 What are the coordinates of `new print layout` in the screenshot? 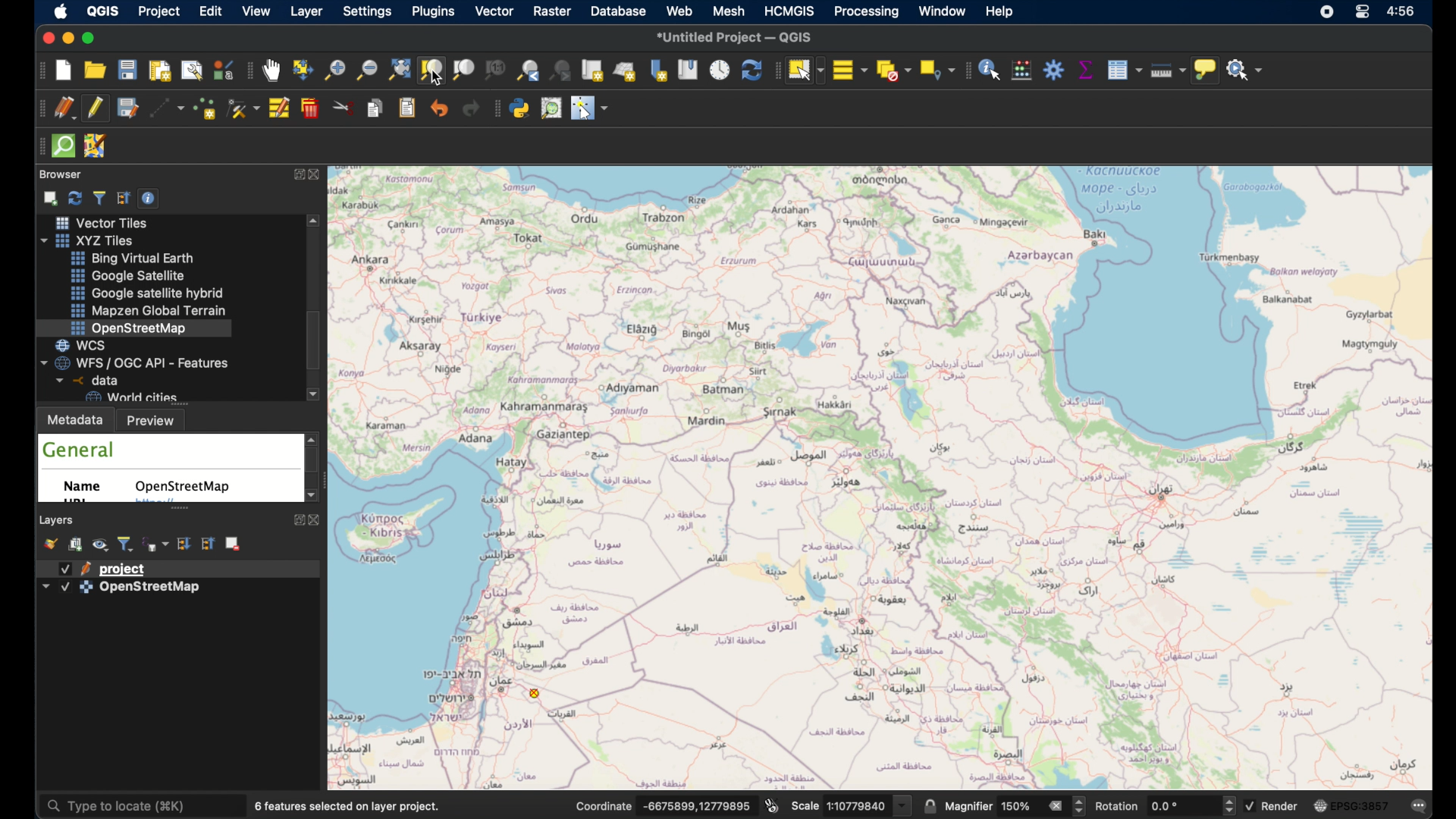 It's located at (158, 71).